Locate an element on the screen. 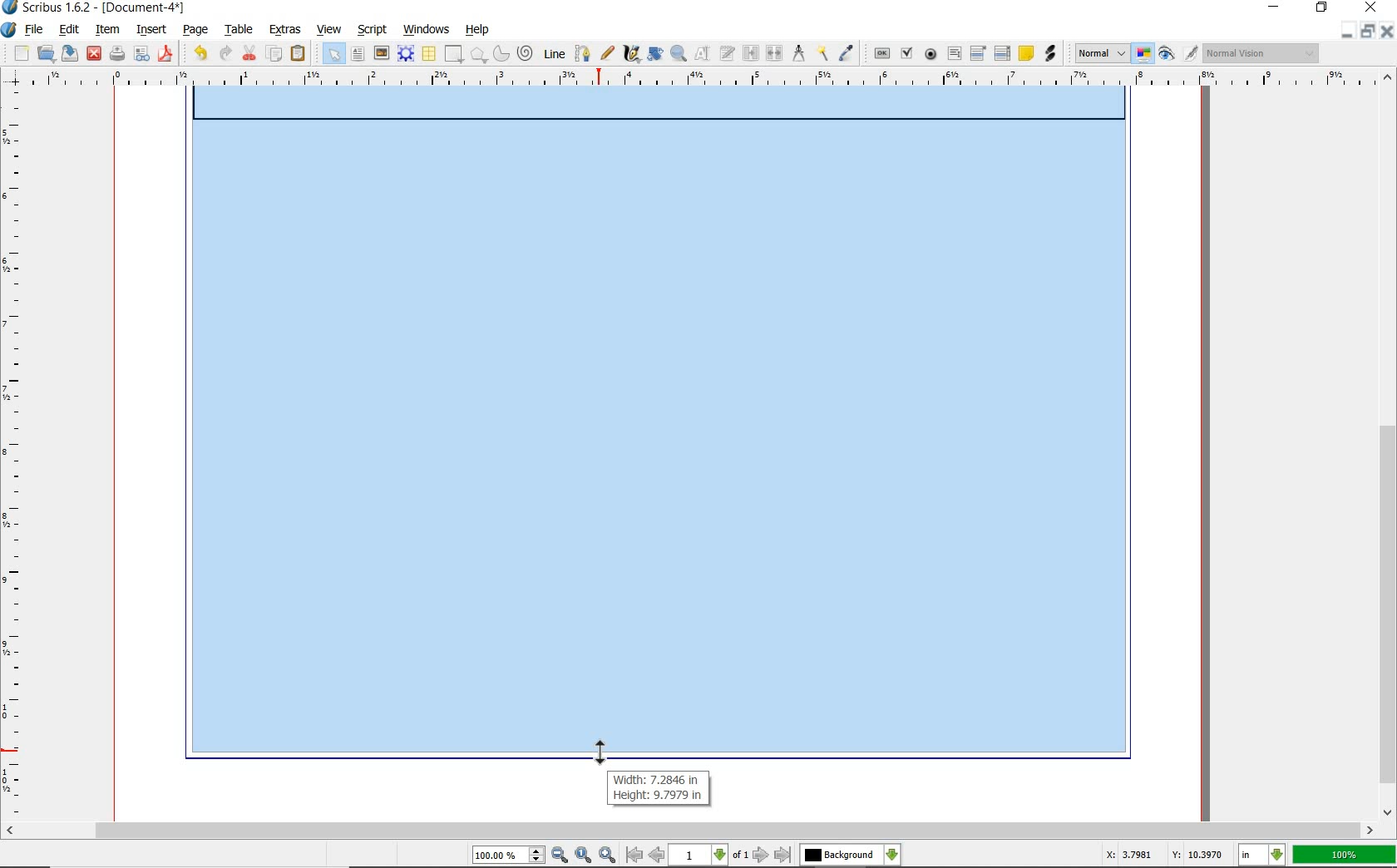 The image size is (1397, 868). table is located at coordinates (239, 30).